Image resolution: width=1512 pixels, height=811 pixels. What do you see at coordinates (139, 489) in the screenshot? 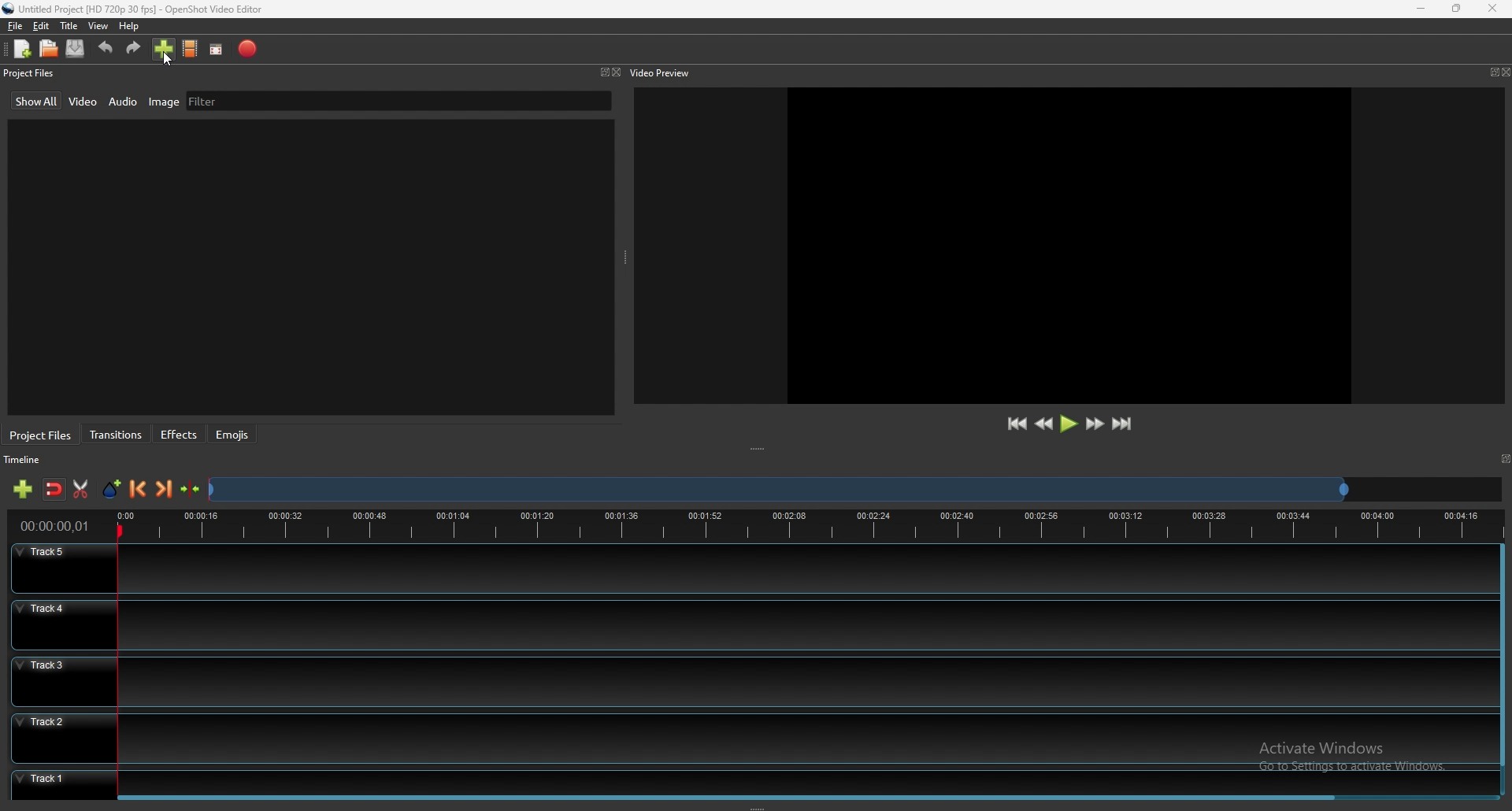
I see `previous marker` at bounding box center [139, 489].